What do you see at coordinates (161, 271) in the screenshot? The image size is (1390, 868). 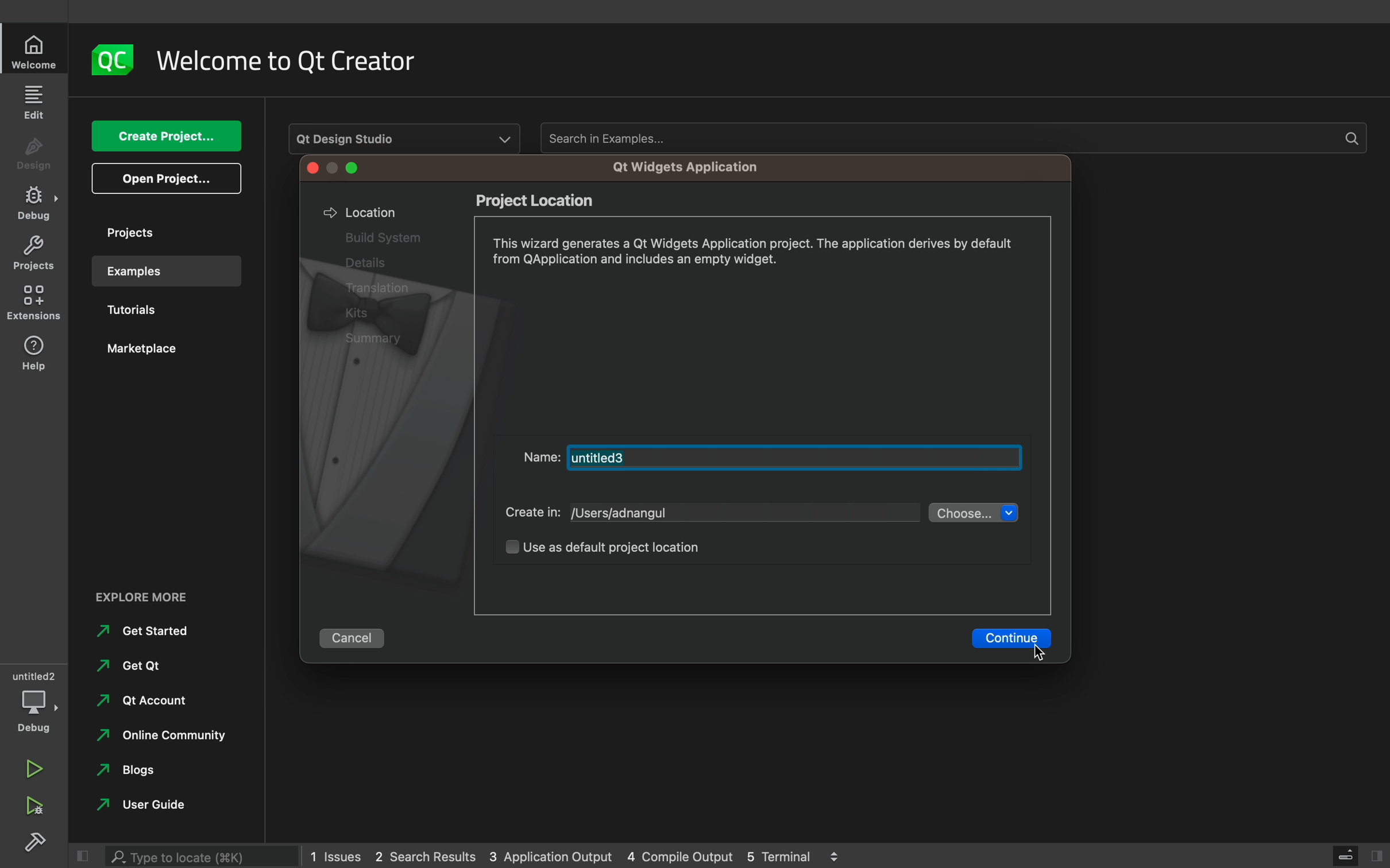 I see `examples` at bounding box center [161, 271].